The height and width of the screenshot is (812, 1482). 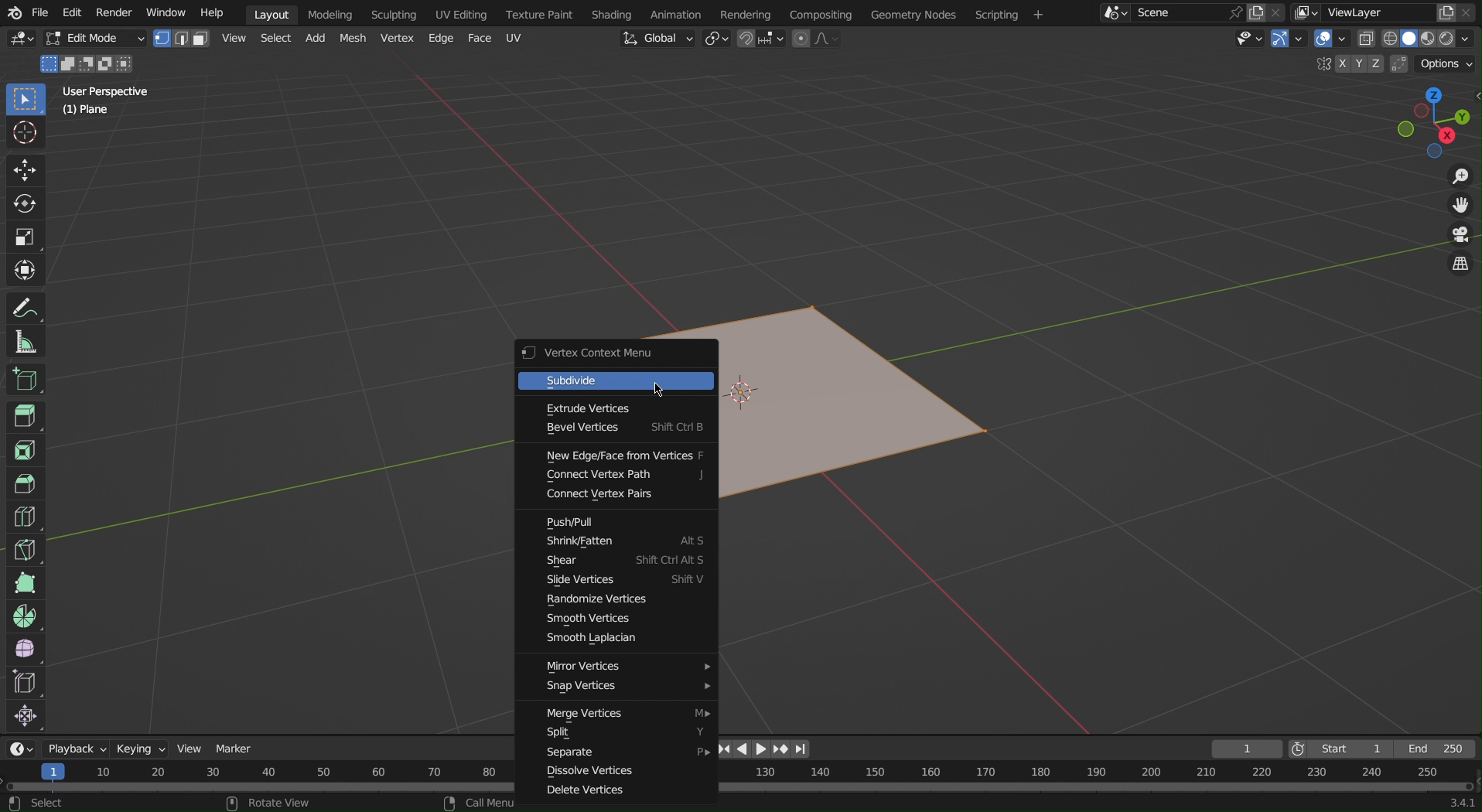 I want to click on Pin, so click(x=1234, y=12).